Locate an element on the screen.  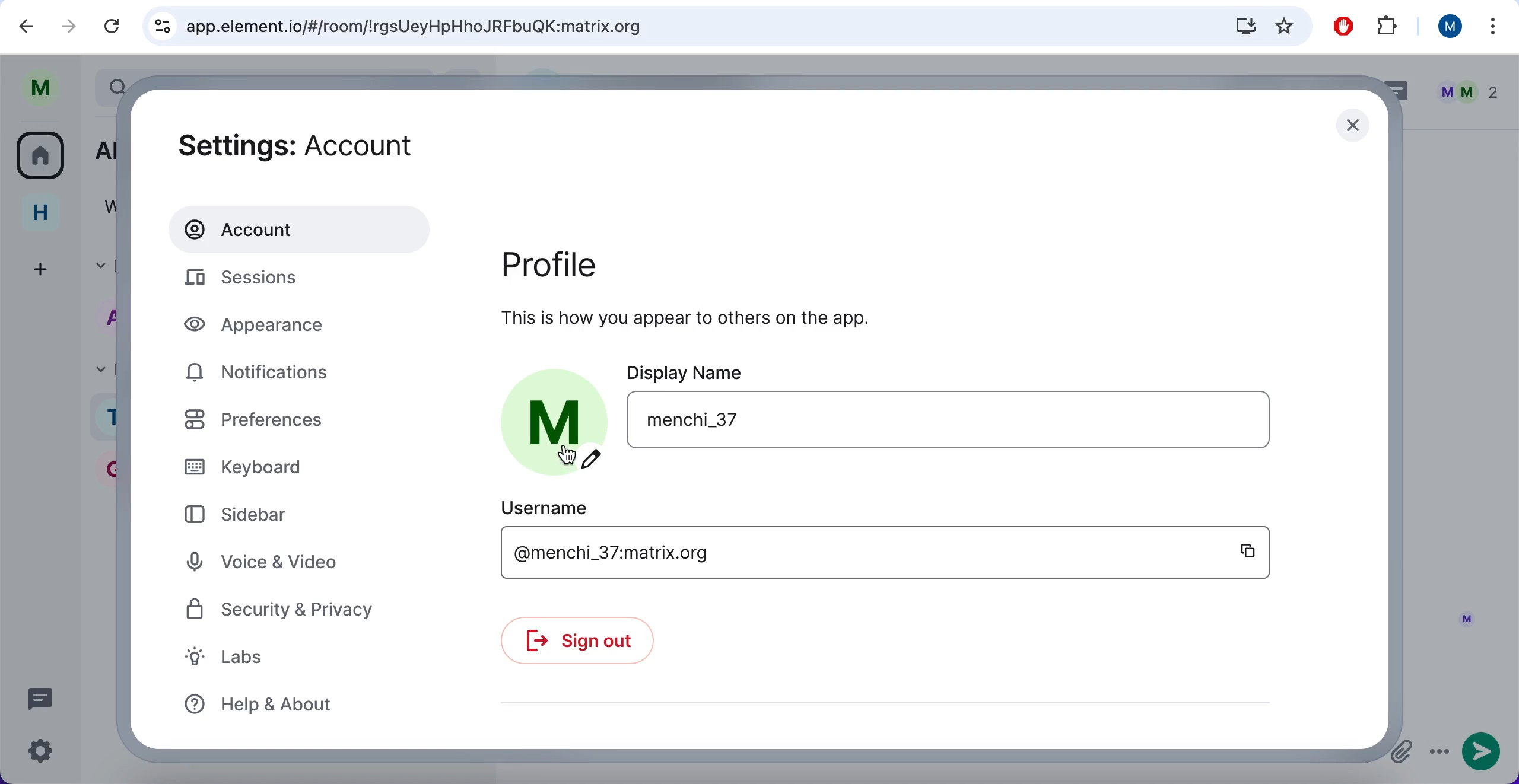
send is located at coordinates (1482, 754).